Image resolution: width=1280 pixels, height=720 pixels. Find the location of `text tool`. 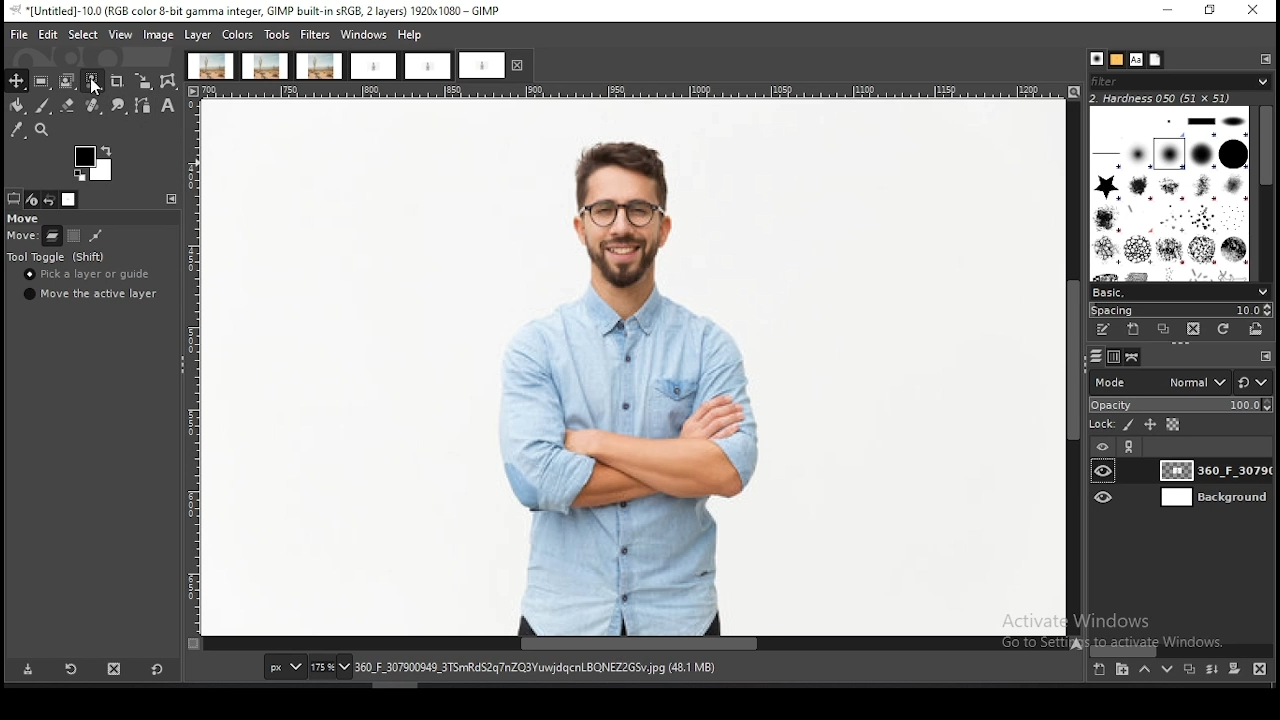

text tool is located at coordinates (168, 106).